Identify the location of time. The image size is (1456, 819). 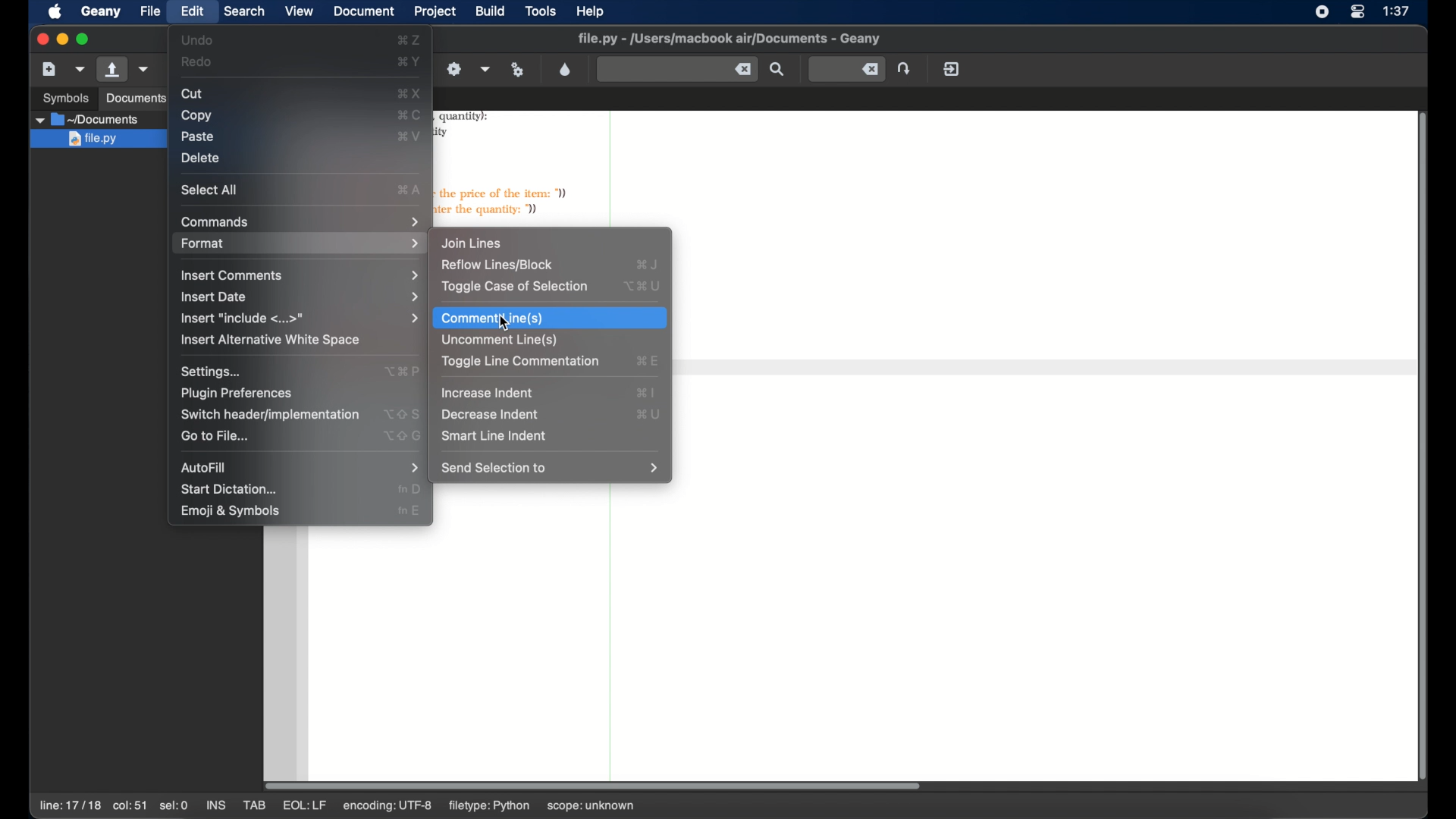
(1398, 11).